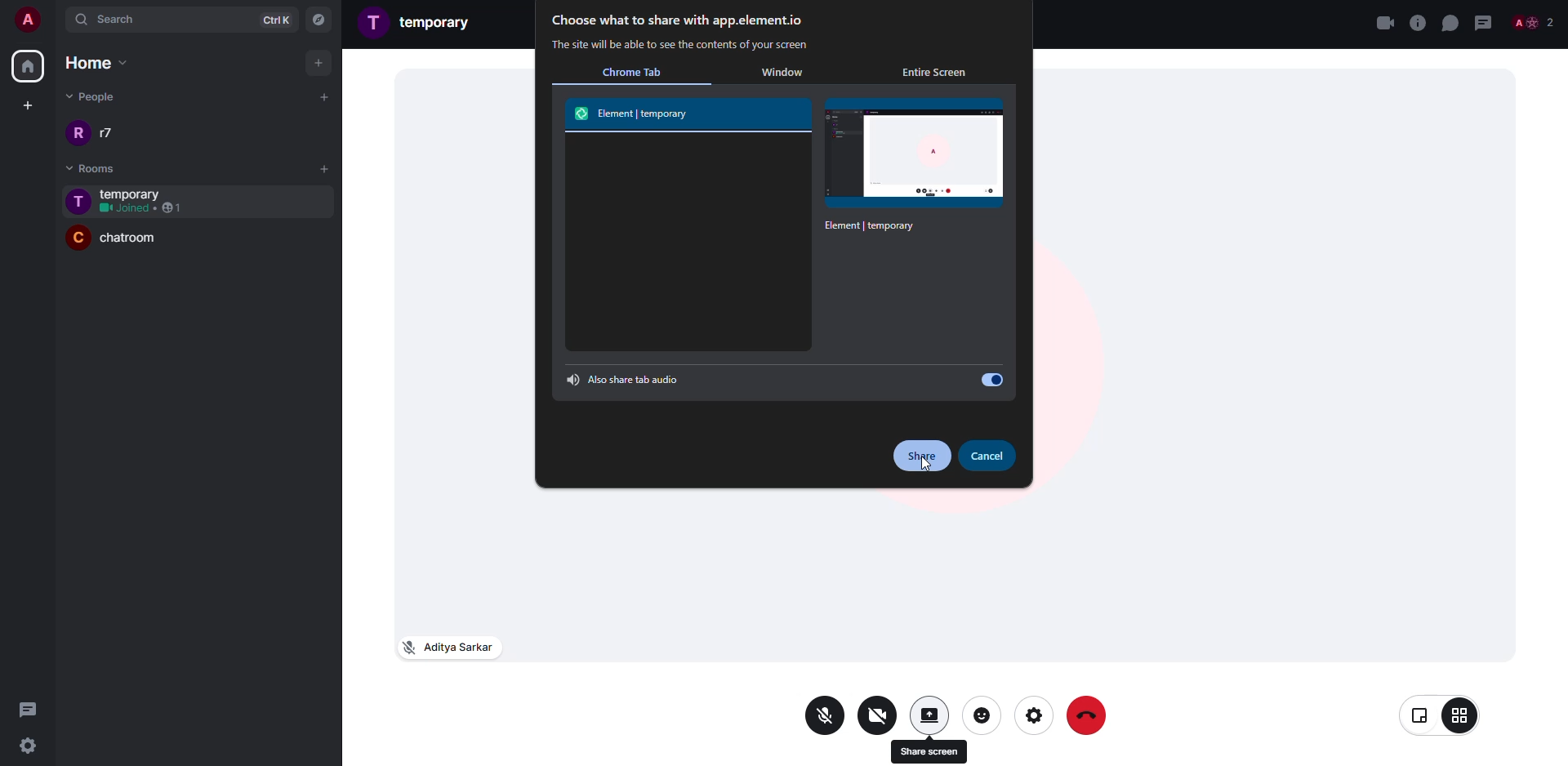 The height and width of the screenshot is (766, 1568). What do you see at coordinates (95, 95) in the screenshot?
I see `people` at bounding box center [95, 95].